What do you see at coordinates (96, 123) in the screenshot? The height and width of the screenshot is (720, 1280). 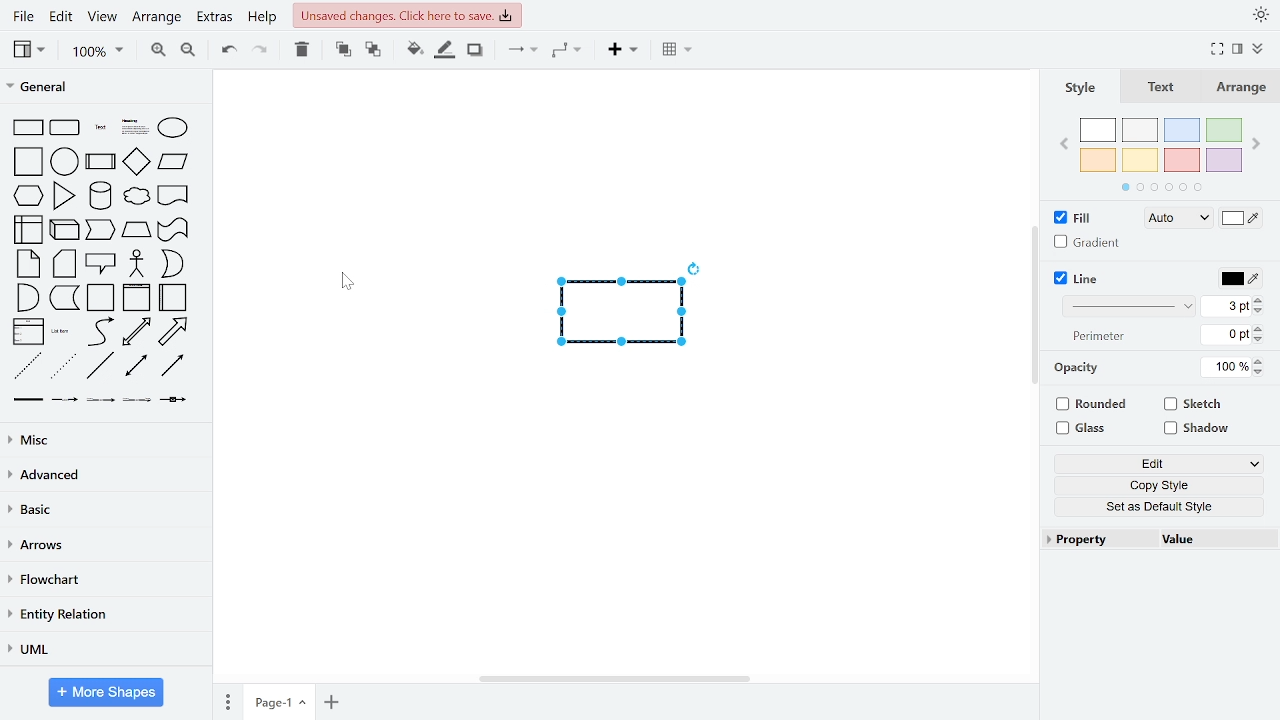 I see `general shapes` at bounding box center [96, 123].